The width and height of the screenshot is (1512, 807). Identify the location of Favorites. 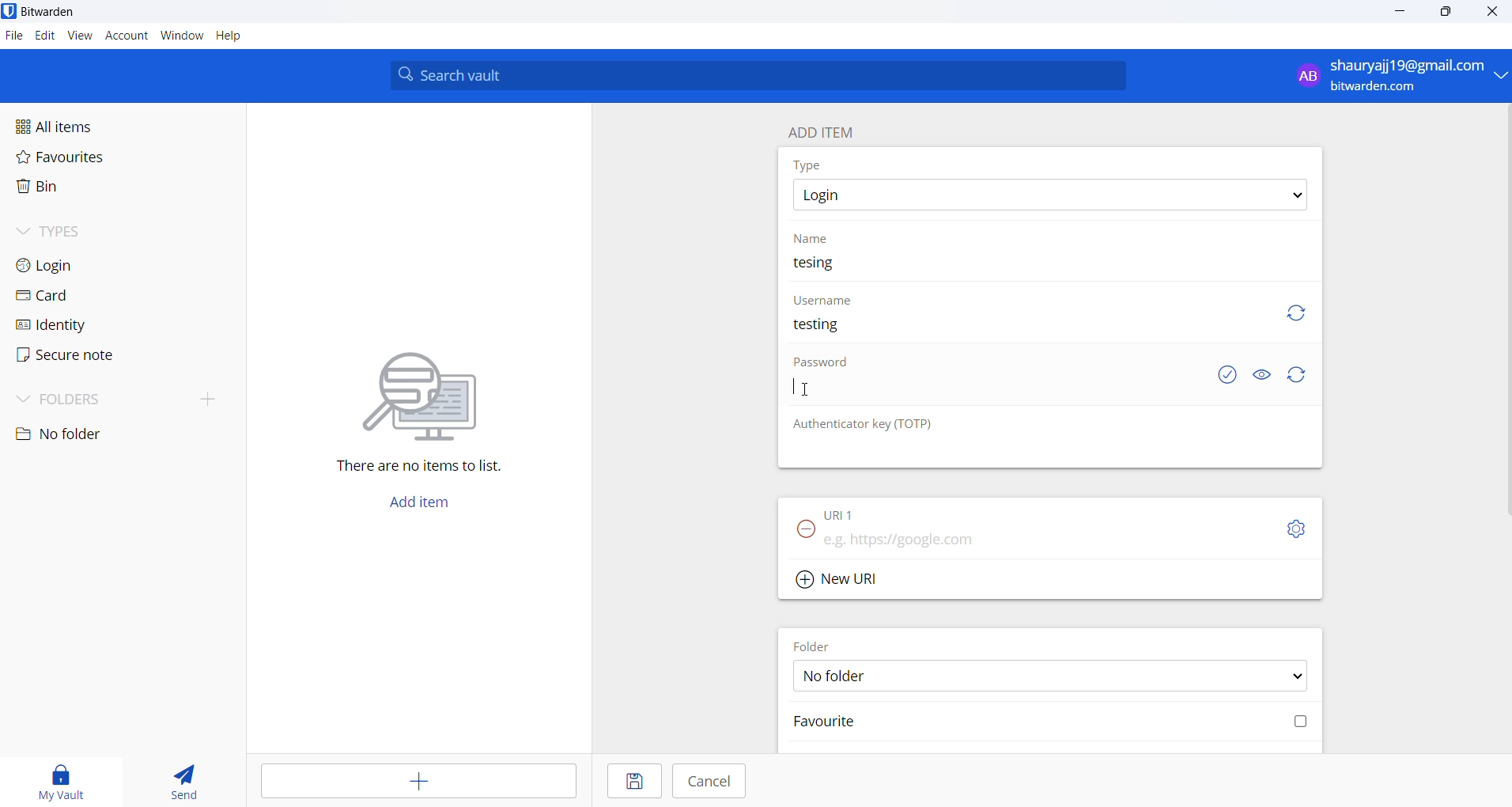
(96, 161).